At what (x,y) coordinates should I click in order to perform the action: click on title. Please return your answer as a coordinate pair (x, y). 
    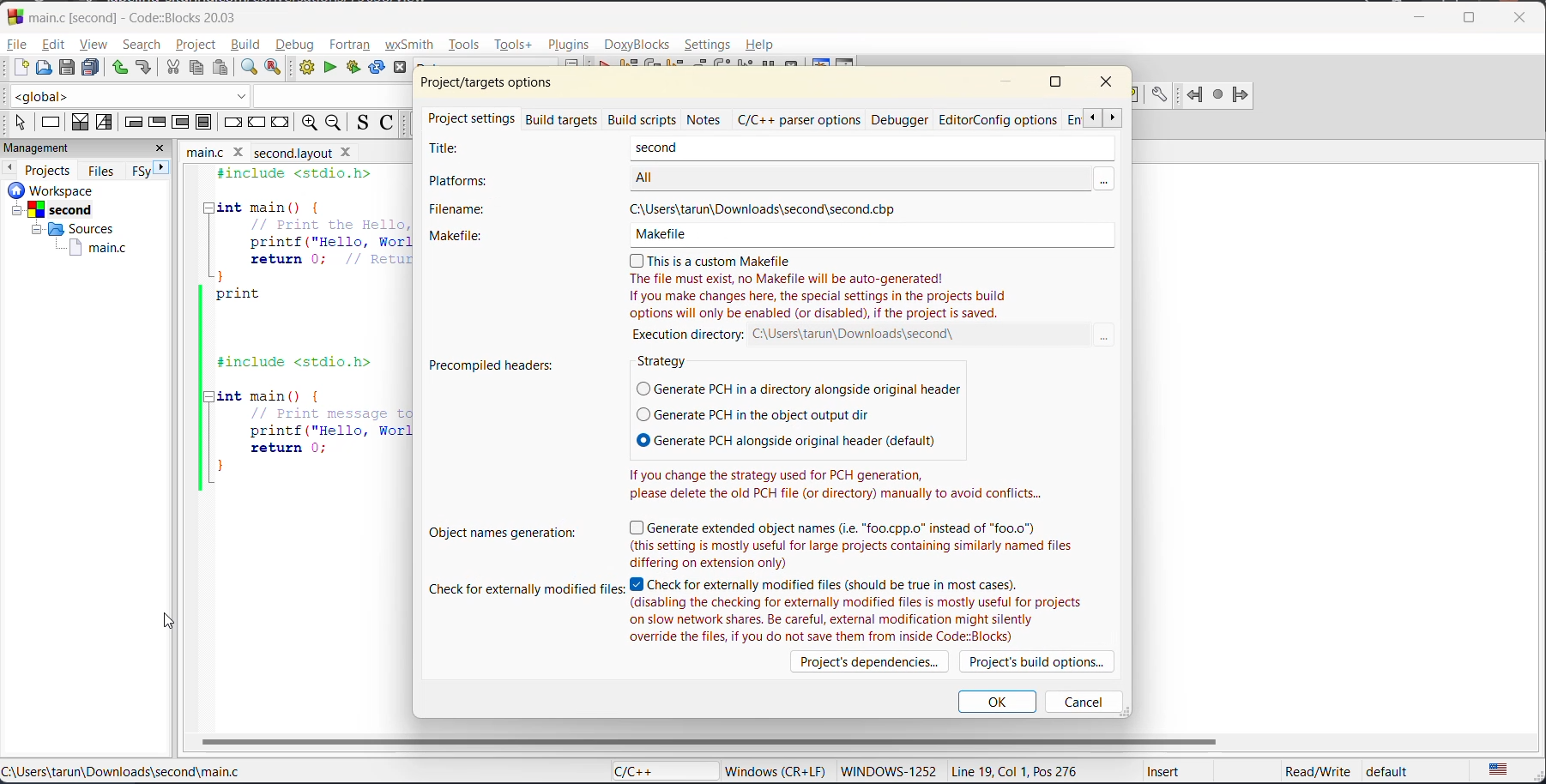
    Looking at the image, I should click on (762, 149).